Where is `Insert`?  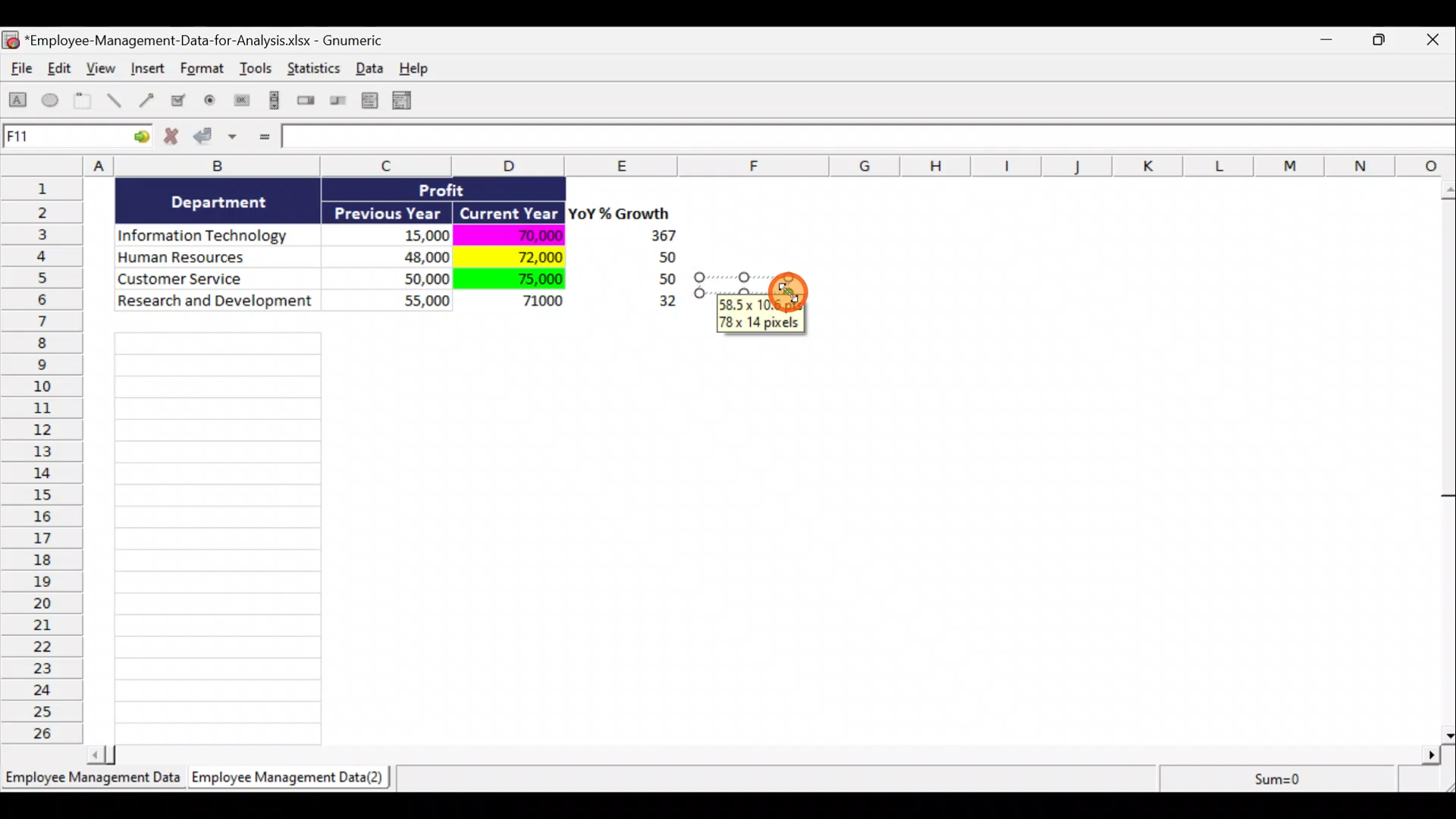 Insert is located at coordinates (147, 71).